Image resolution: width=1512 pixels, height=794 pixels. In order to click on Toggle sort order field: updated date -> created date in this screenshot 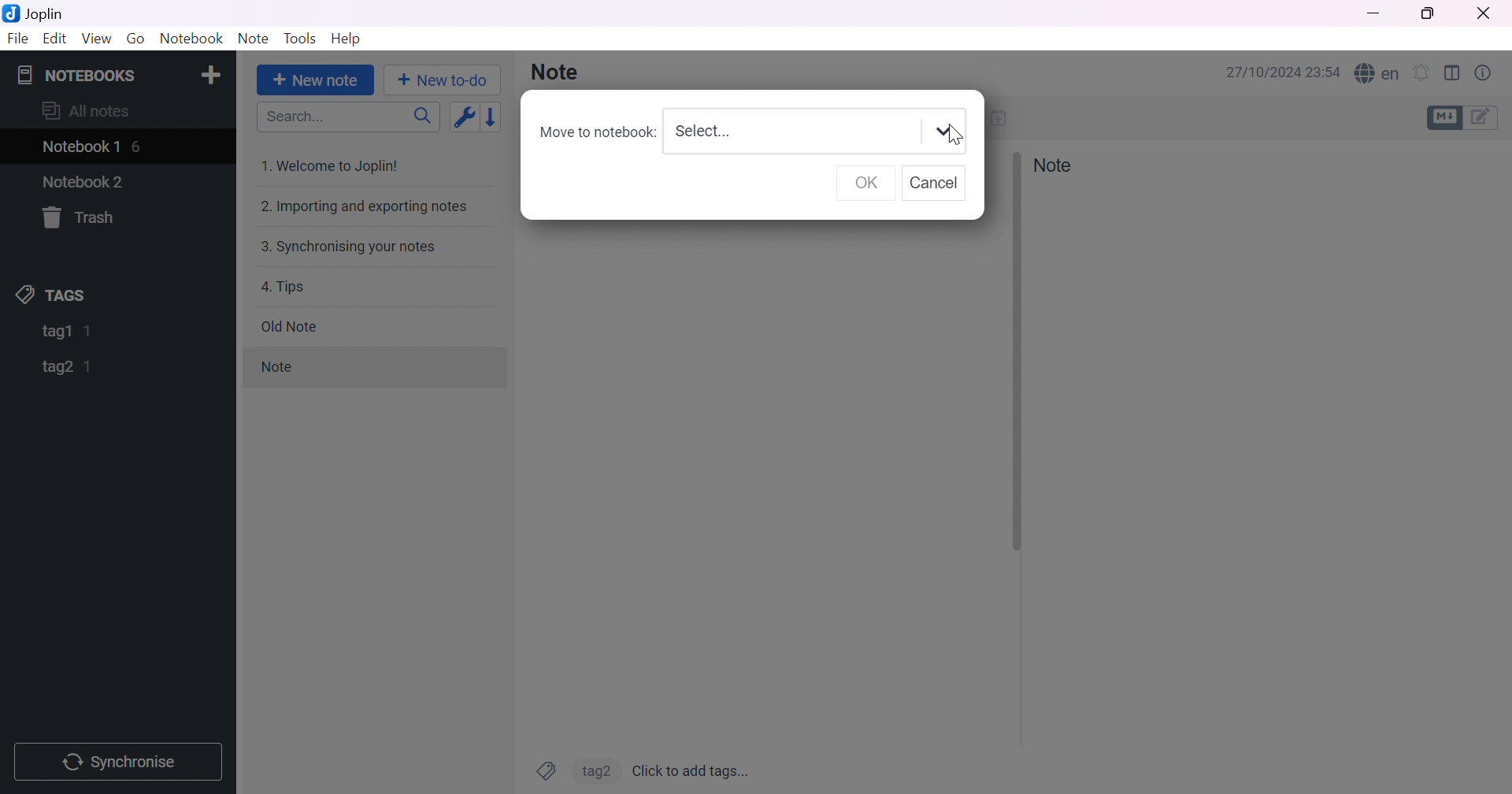, I will do `click(462, 119)`.